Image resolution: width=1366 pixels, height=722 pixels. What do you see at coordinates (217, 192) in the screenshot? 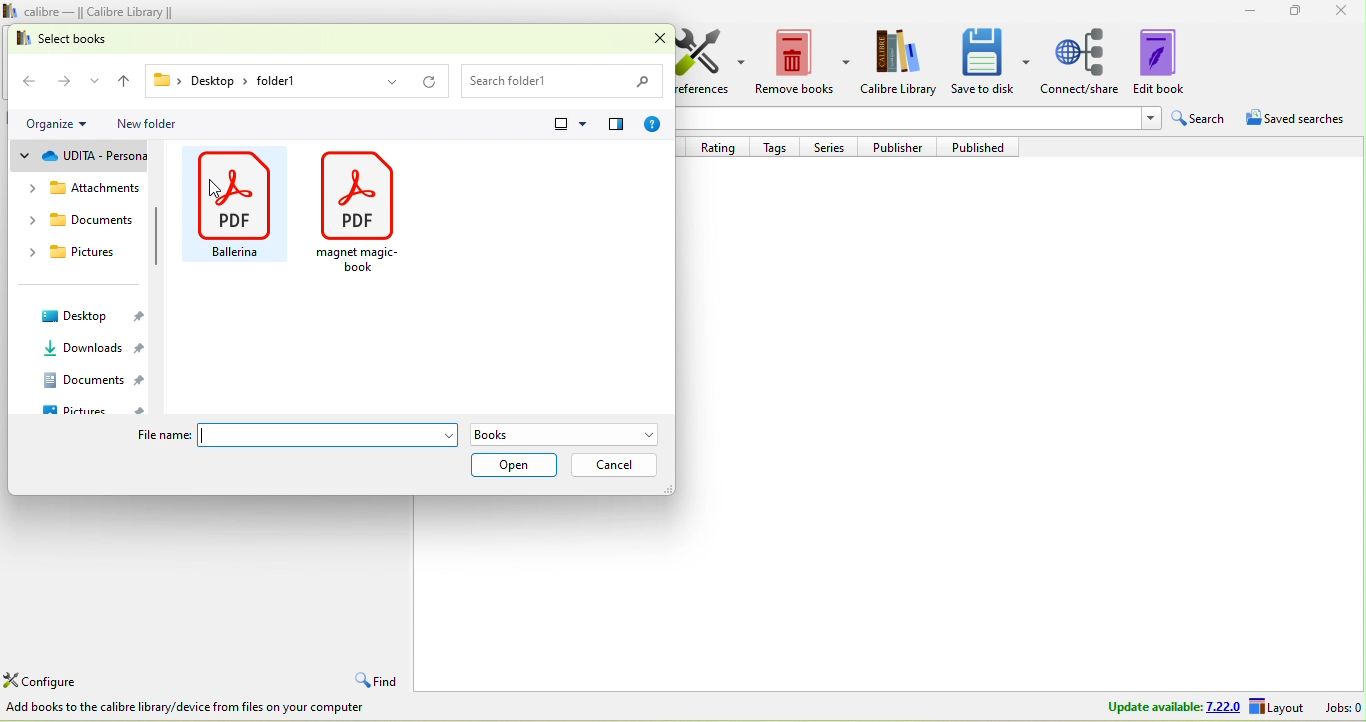
I see `cursor movement` at bounding box center [217, 192].